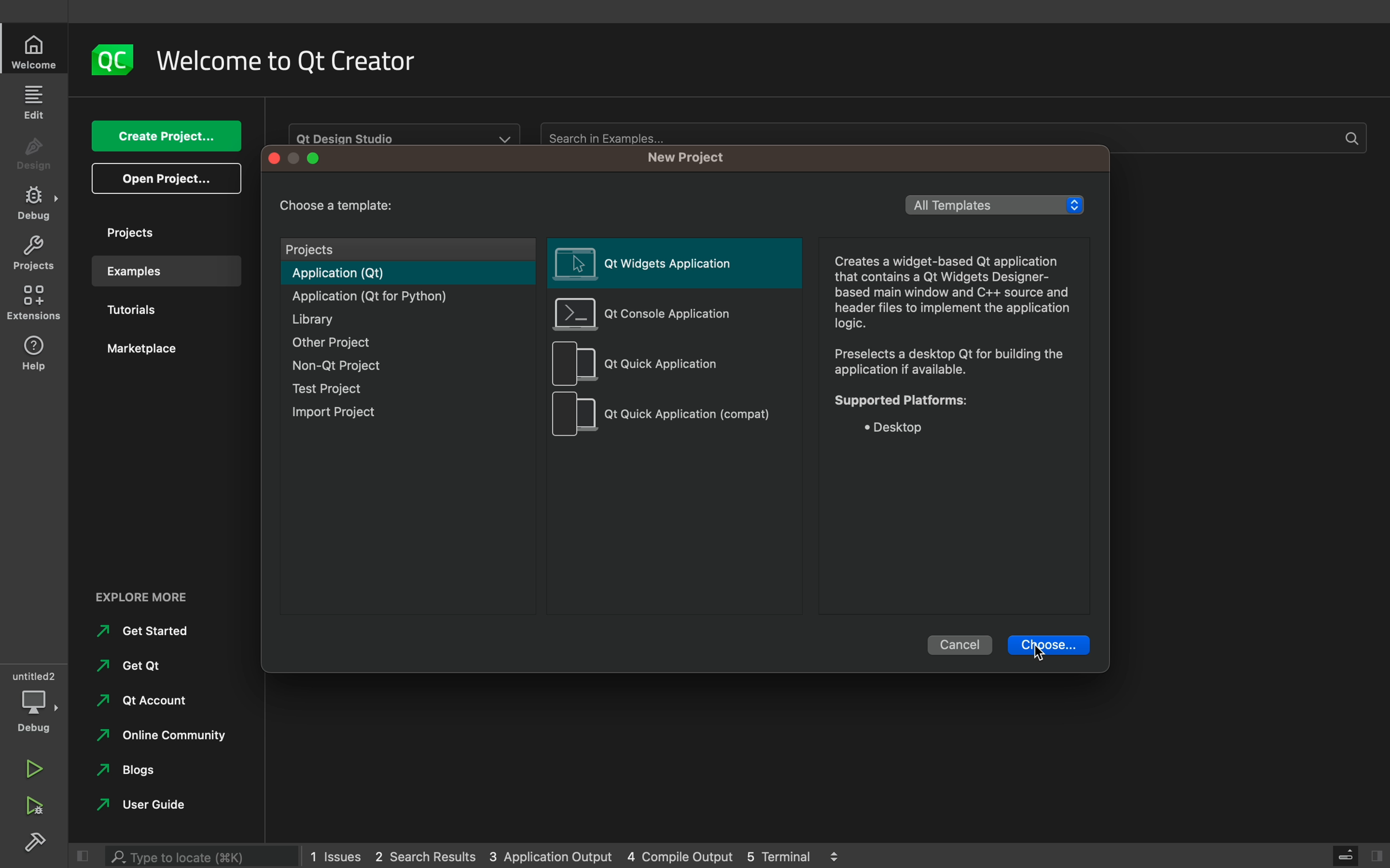  Describe the element at coordinates (655, 364) in the screenshot. I see `qt quick application` at that location.